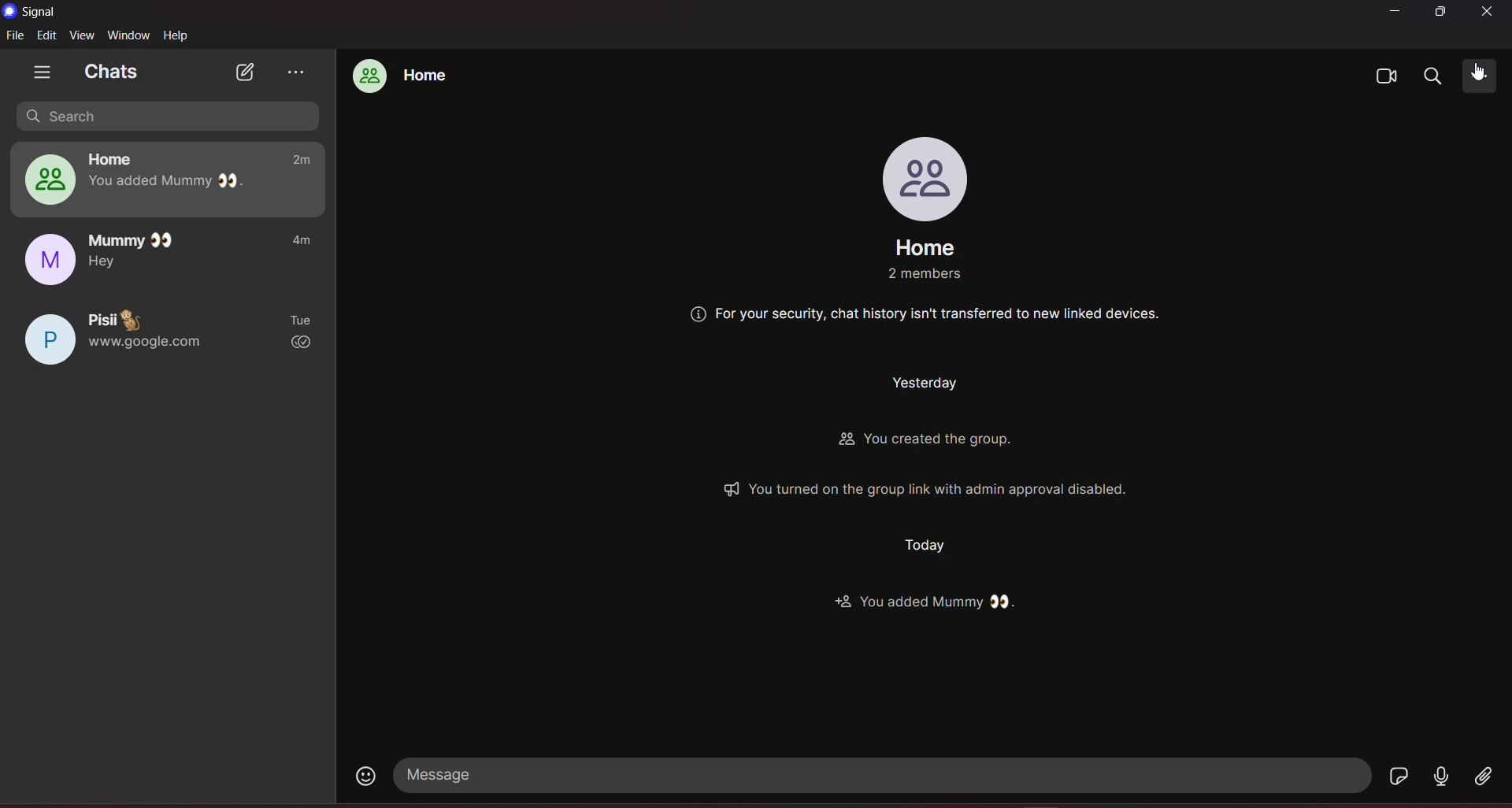  What do you see at coordinates (1381, 76) in the screenshot?
I see `video calls` at bounding box center [1381, 76].